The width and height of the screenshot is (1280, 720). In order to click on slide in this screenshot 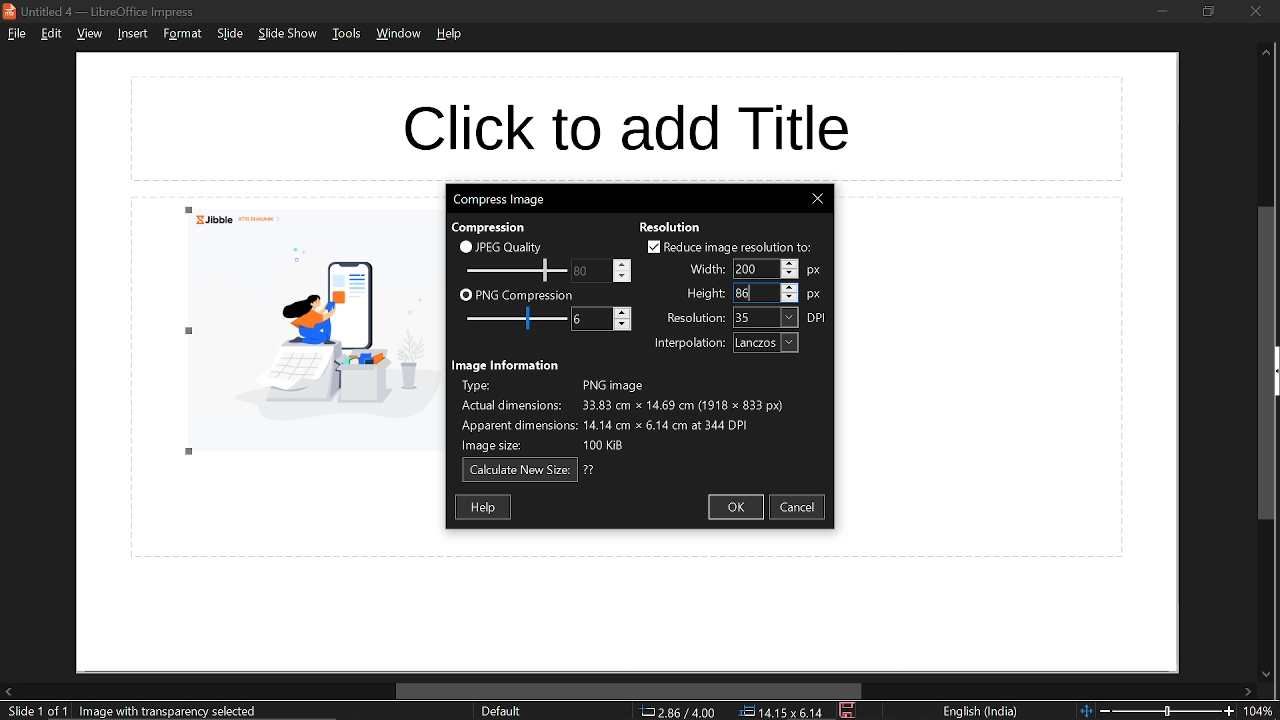, I will do `click(230, 34)`.